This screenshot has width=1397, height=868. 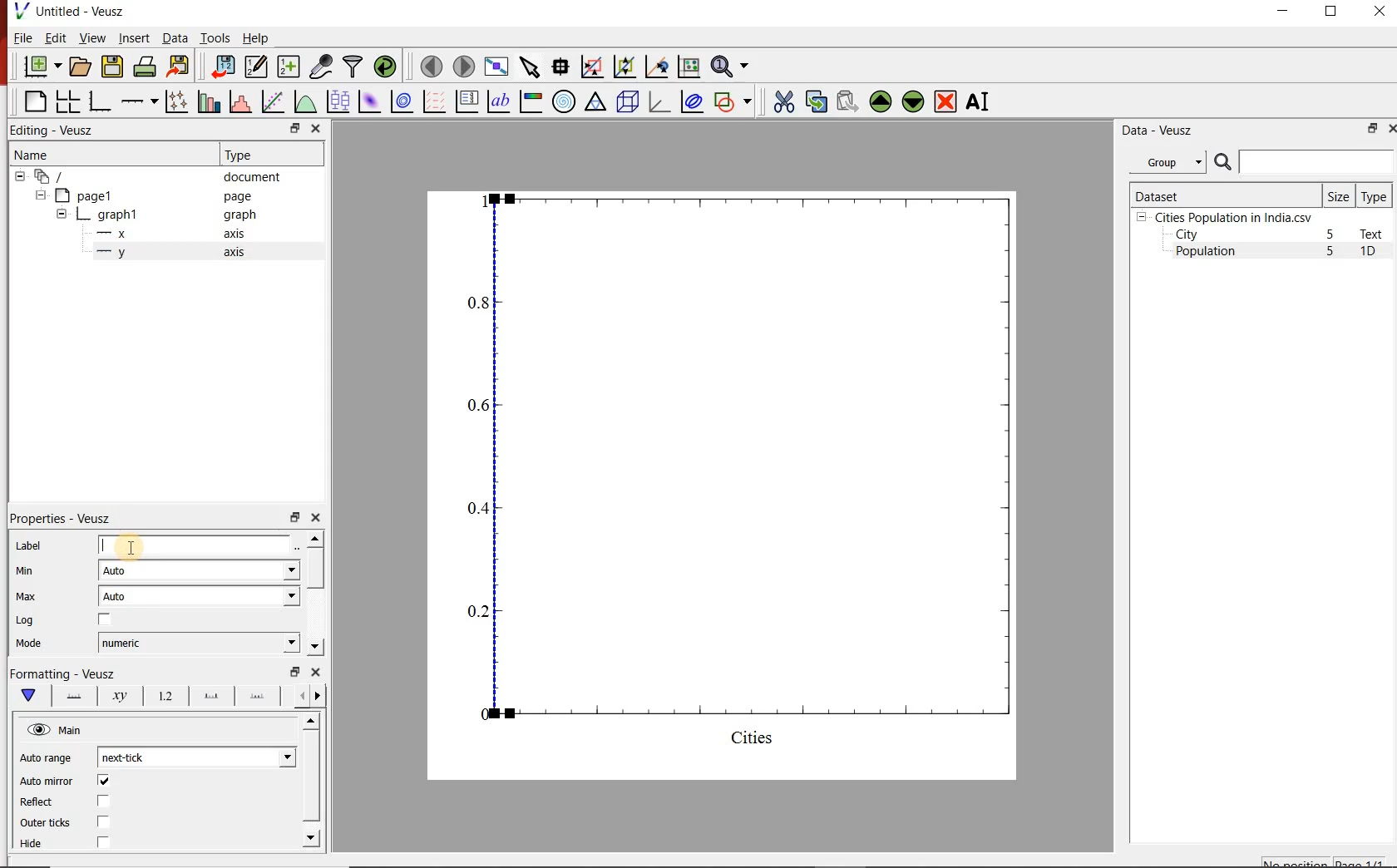 I want to click on Formatting - Veusz, so click(x=64, y=674).